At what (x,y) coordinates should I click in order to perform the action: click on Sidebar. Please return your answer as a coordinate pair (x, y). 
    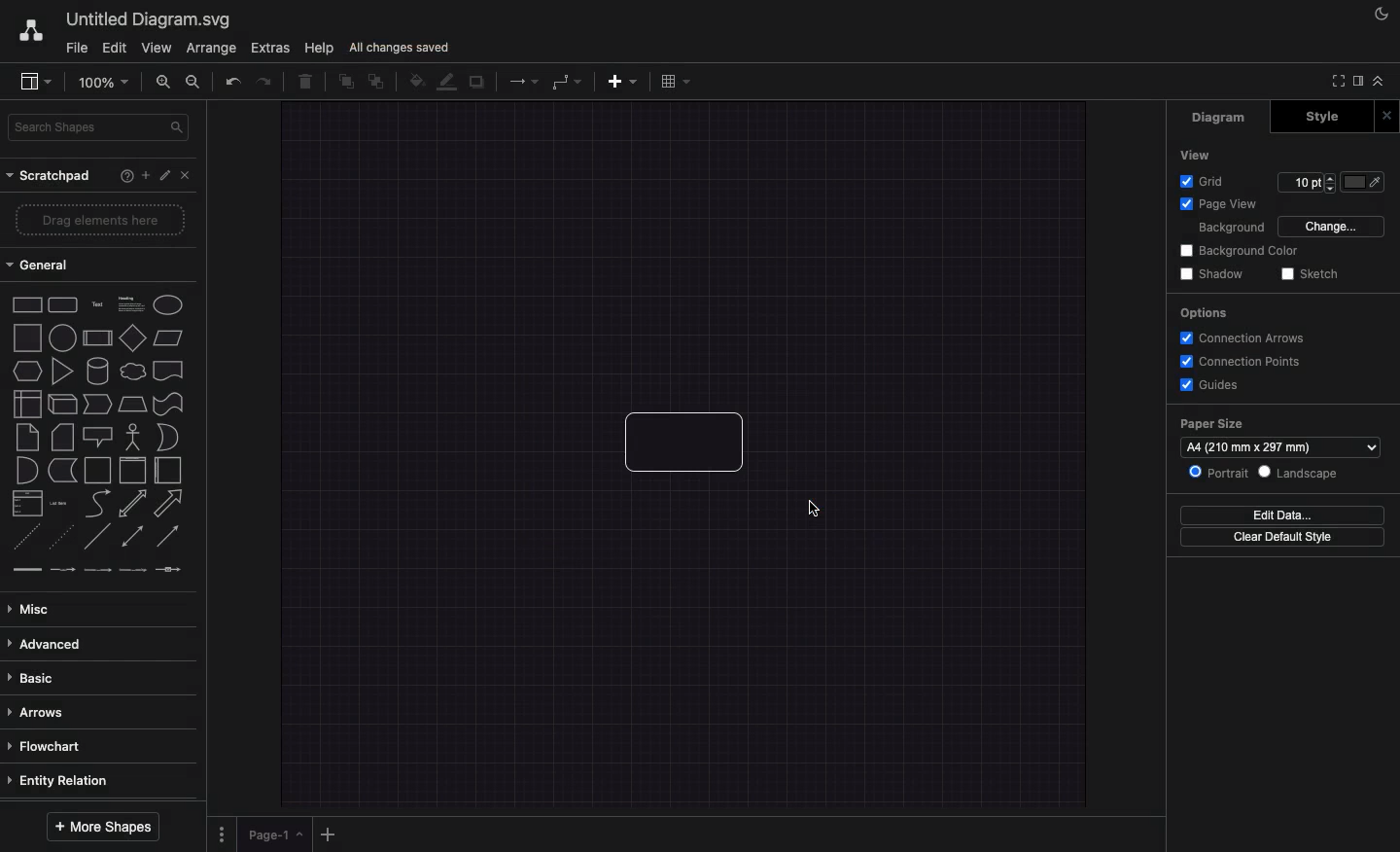
    Looking at the image, I should click on (36, 82).